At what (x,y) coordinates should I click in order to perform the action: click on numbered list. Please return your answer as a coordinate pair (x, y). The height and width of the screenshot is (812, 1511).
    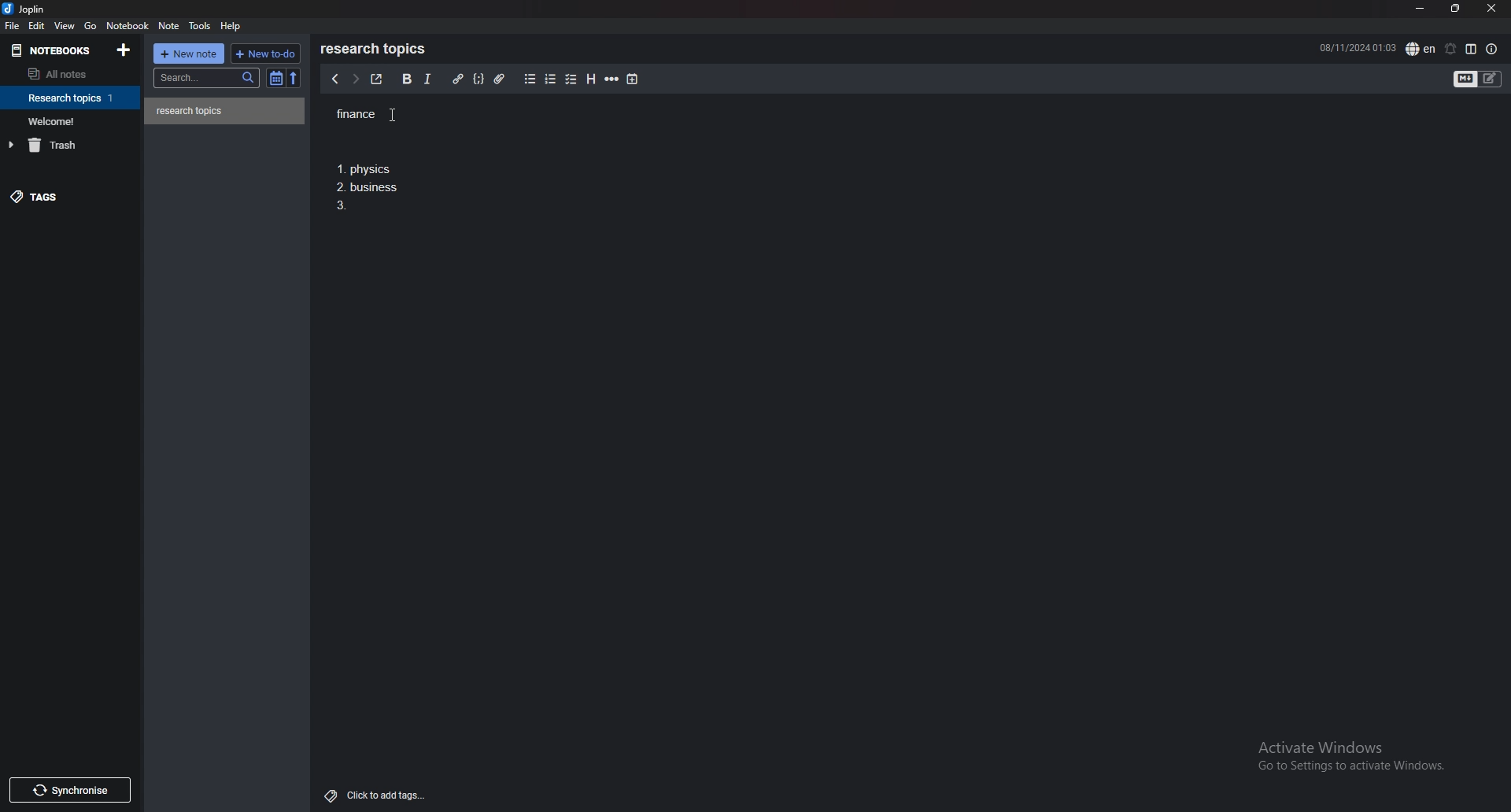
    Looking at the image, I should click on (552, 79).